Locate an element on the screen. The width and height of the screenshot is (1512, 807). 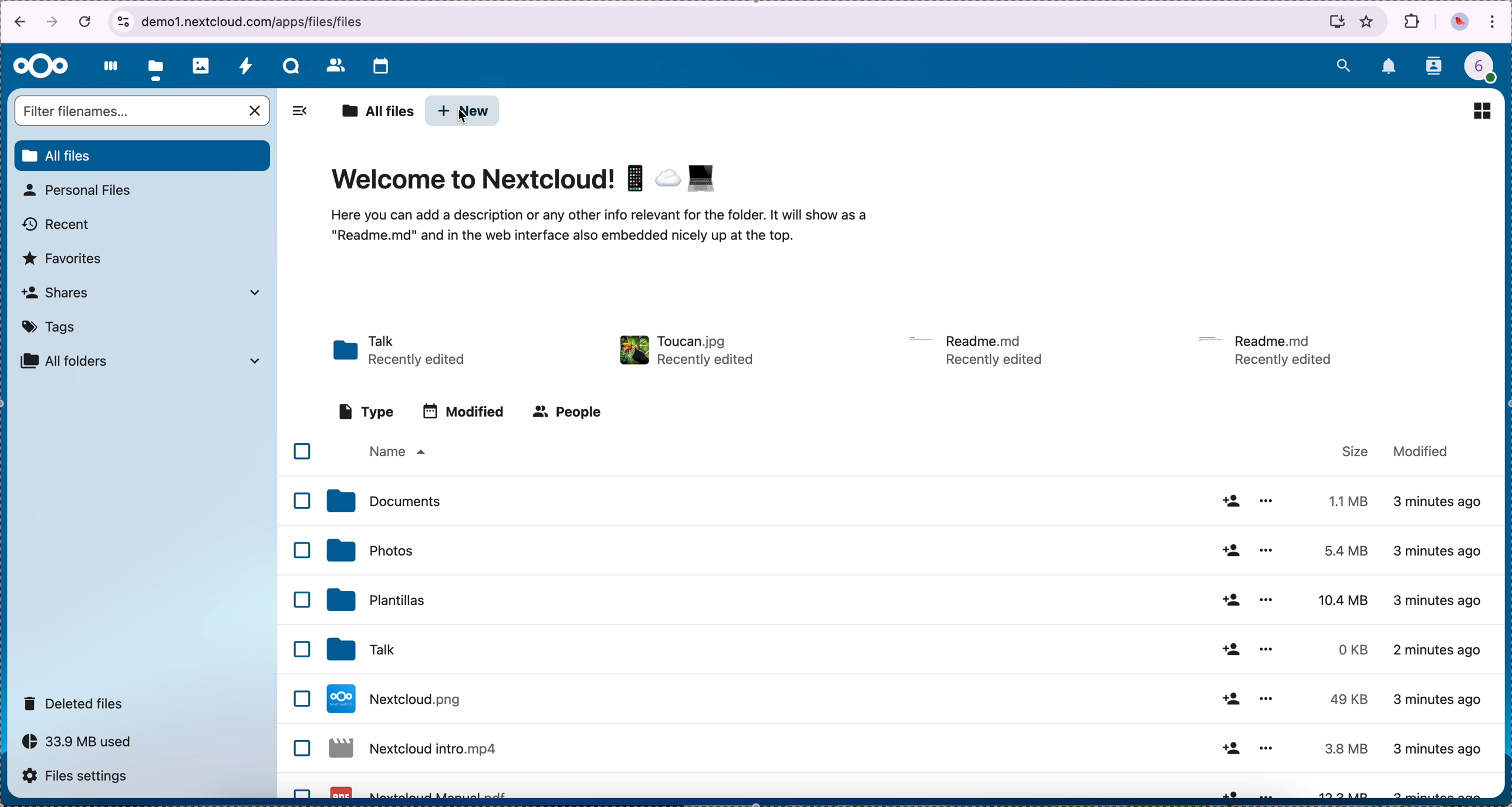
hide tabs is located at coordinates (299, 114).